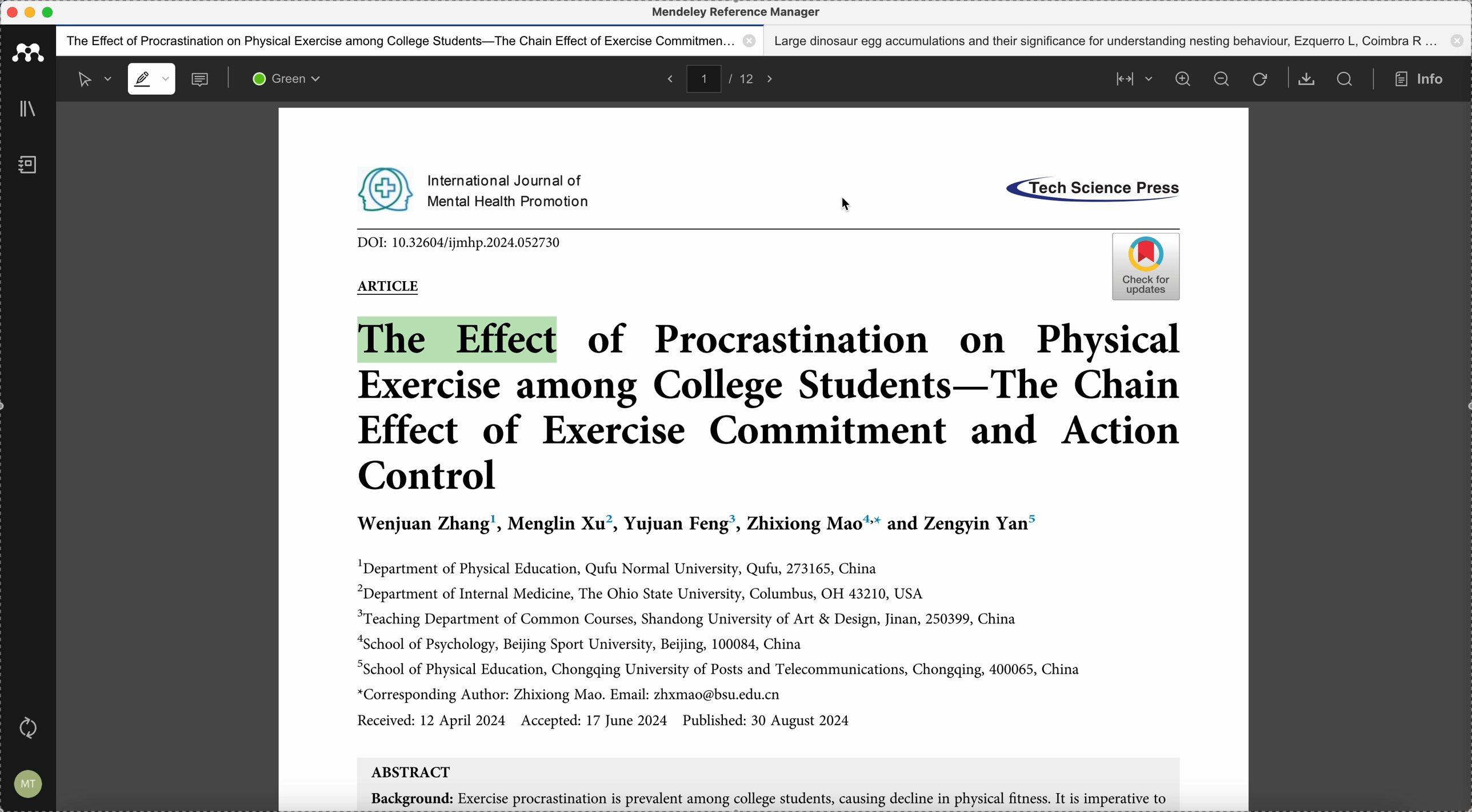 The image size is (1472, 812). What do you see at coordinates (11, 13) in the screenshot?
I see `close program` at bounding box center [11, 13].